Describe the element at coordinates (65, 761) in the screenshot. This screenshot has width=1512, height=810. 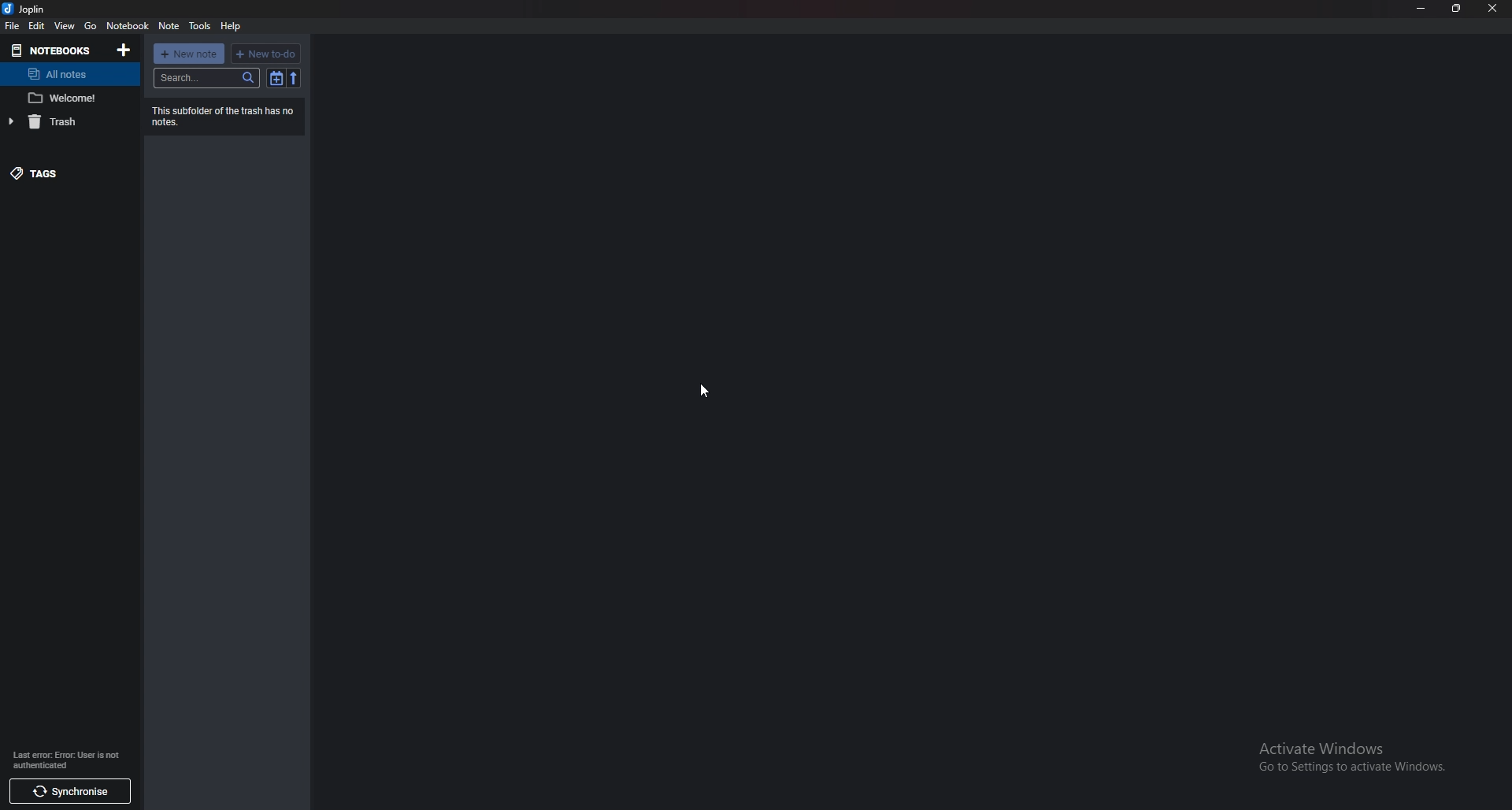
I see `info` at that location.